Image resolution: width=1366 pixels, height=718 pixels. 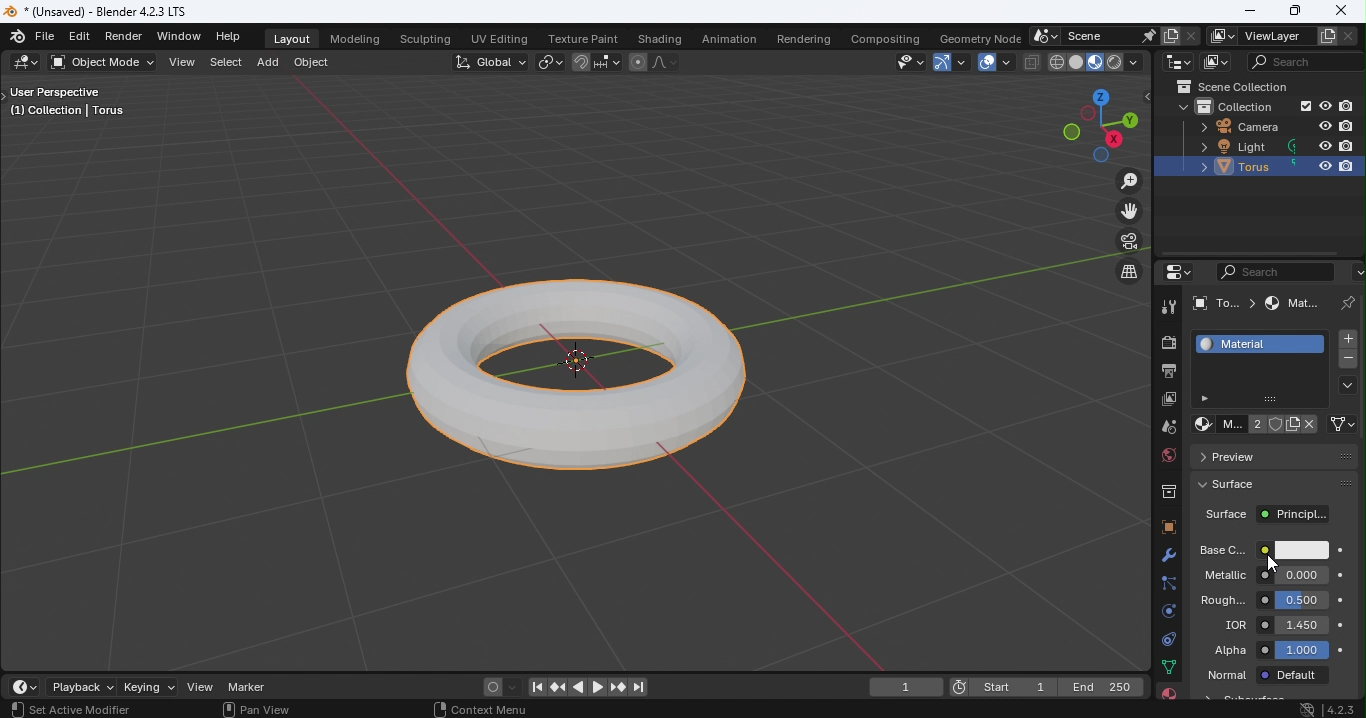 I want to click on Display filter, so click(x=1274, y=272).